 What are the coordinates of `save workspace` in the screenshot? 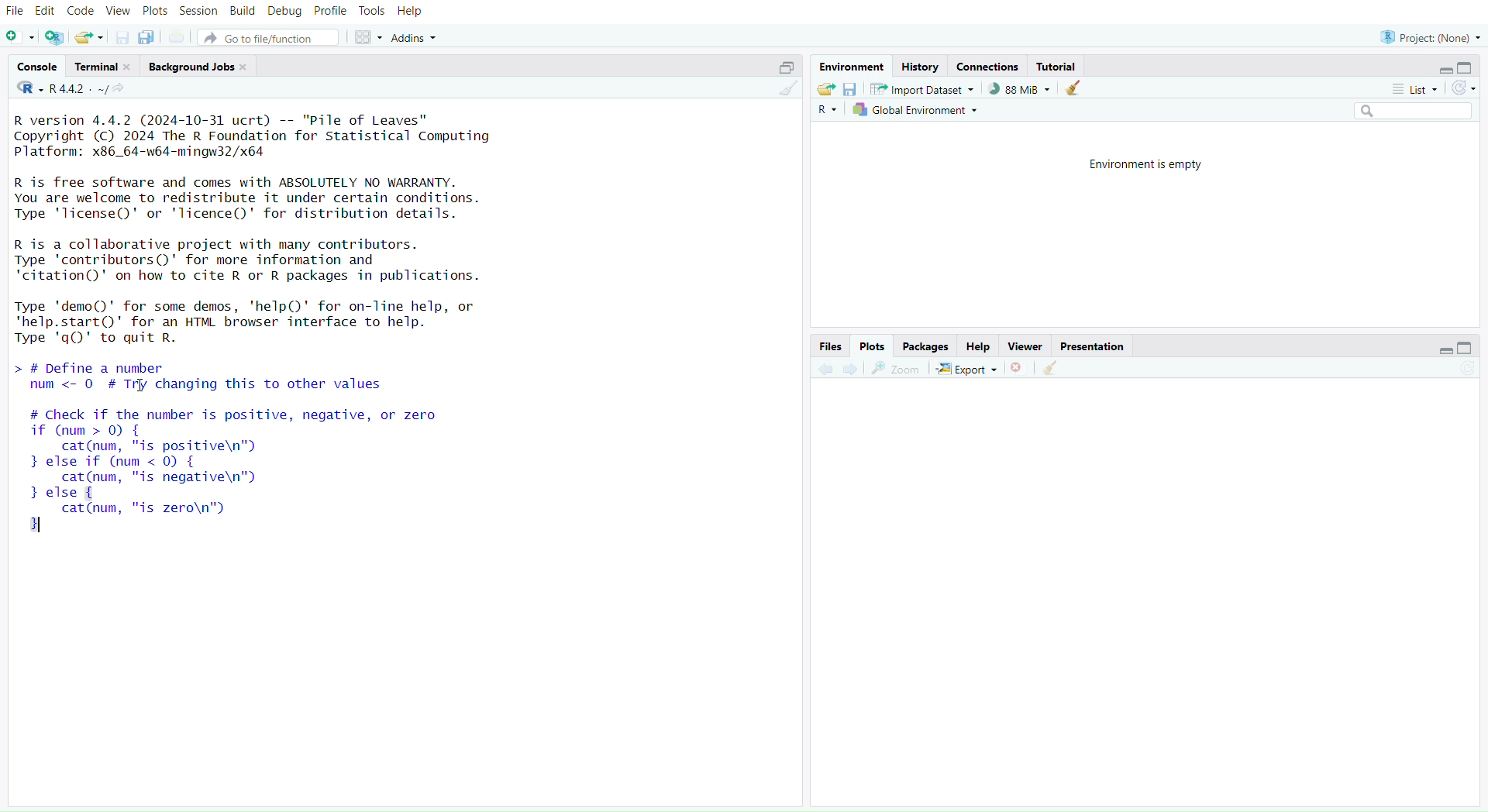 It's located at (850, 91).